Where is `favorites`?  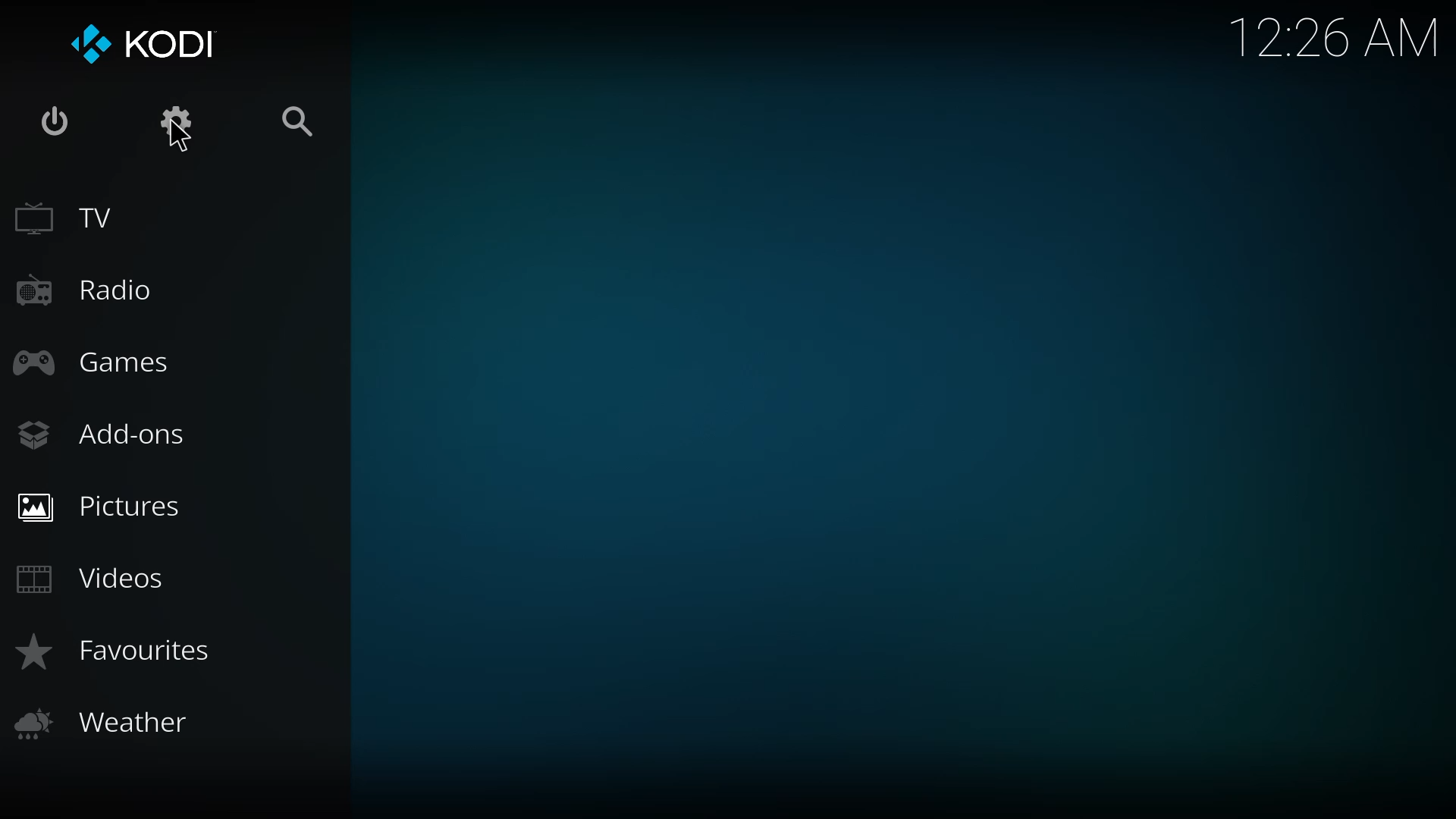
favorites is located at coordinates (130, 651).